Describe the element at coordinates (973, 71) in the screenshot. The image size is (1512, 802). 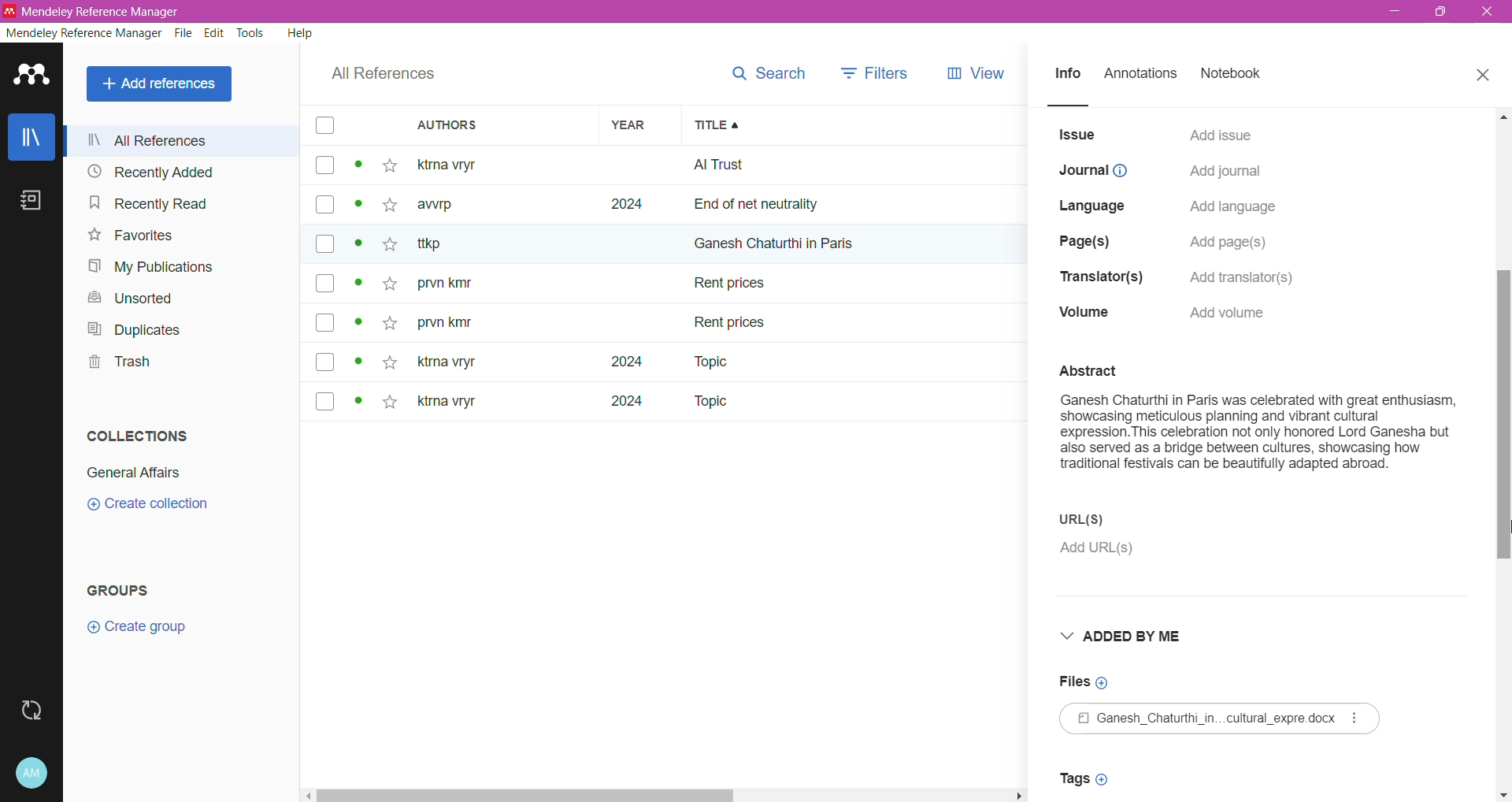
I see `View` at that location.